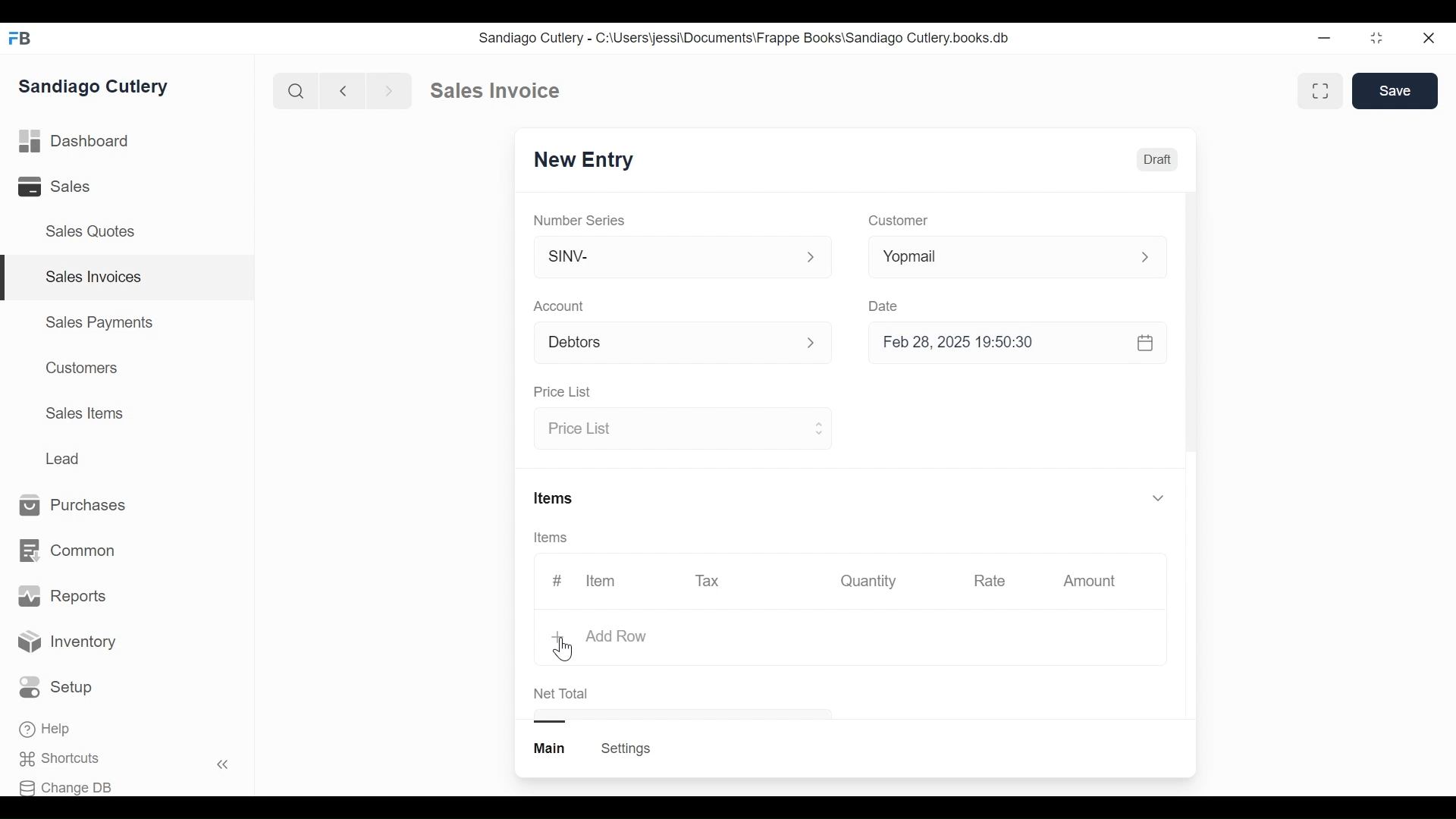 The height and width of the screenshot is (819, 1456). Describe the element at coordinates (78, 368) in the screenshot. I see `Customers` at that location.